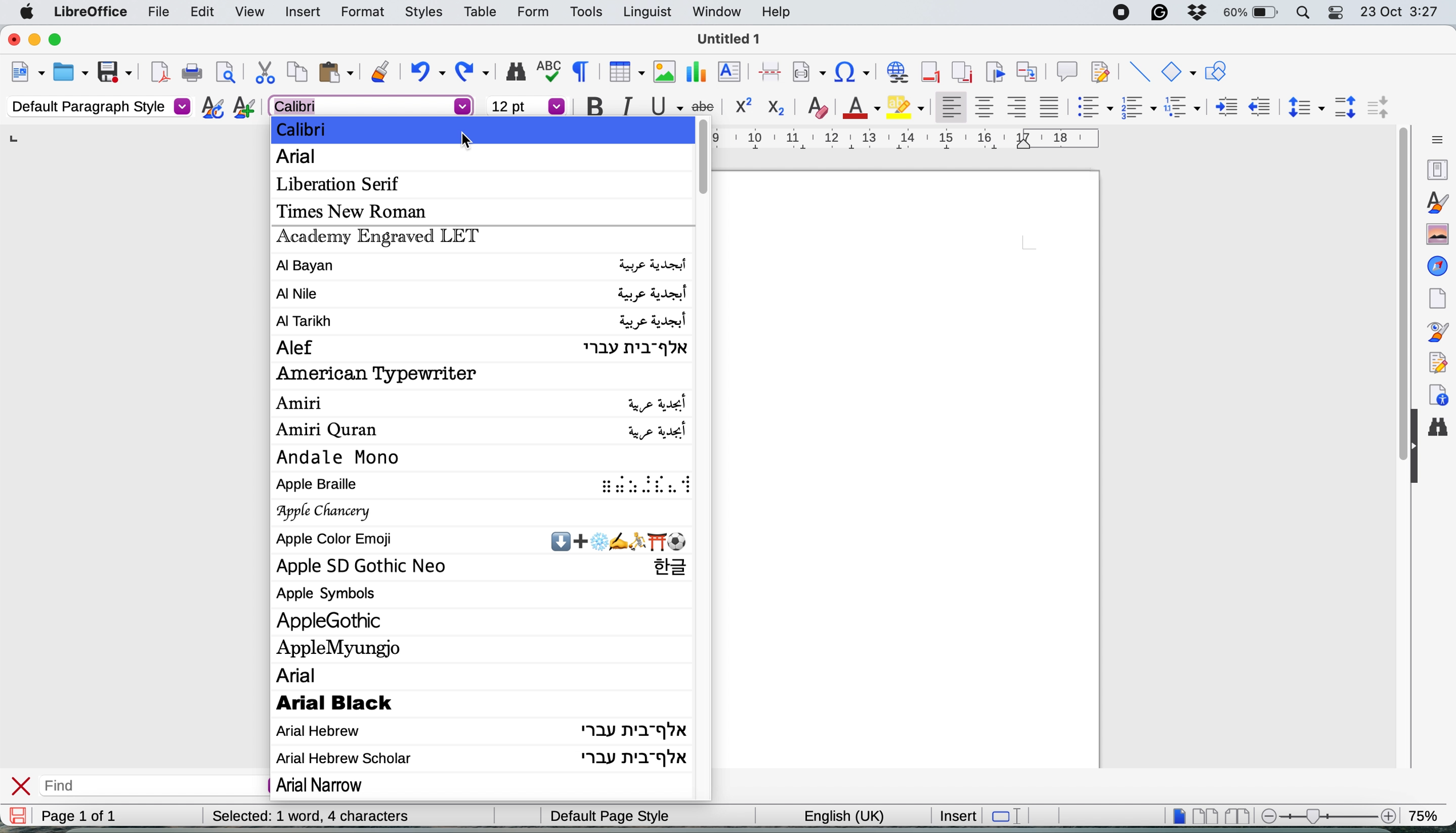  I want to click on save, so click(114, 71).